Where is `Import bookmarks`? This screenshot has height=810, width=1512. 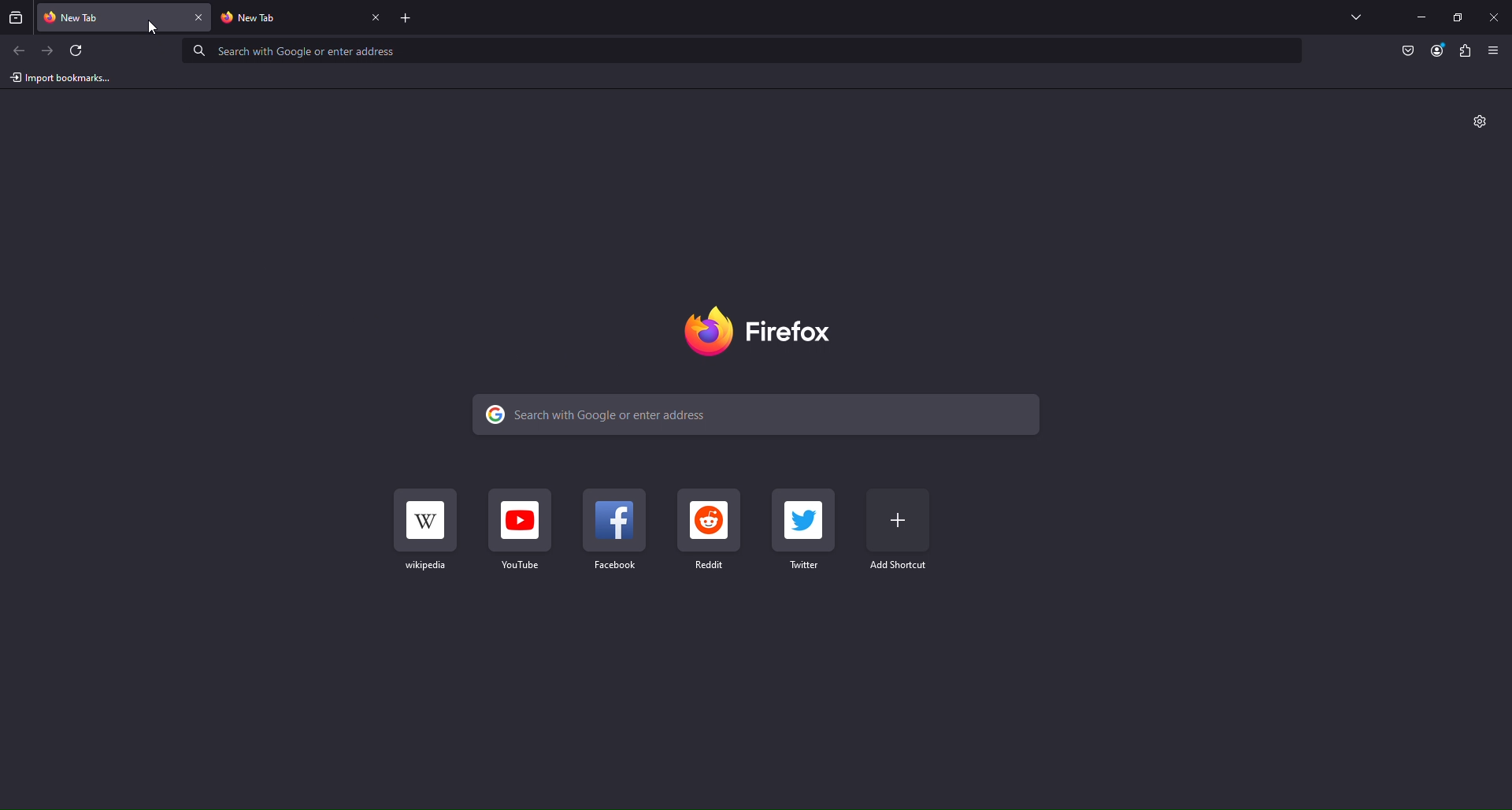
Import bookmarks is located at coordinates (61, 78).